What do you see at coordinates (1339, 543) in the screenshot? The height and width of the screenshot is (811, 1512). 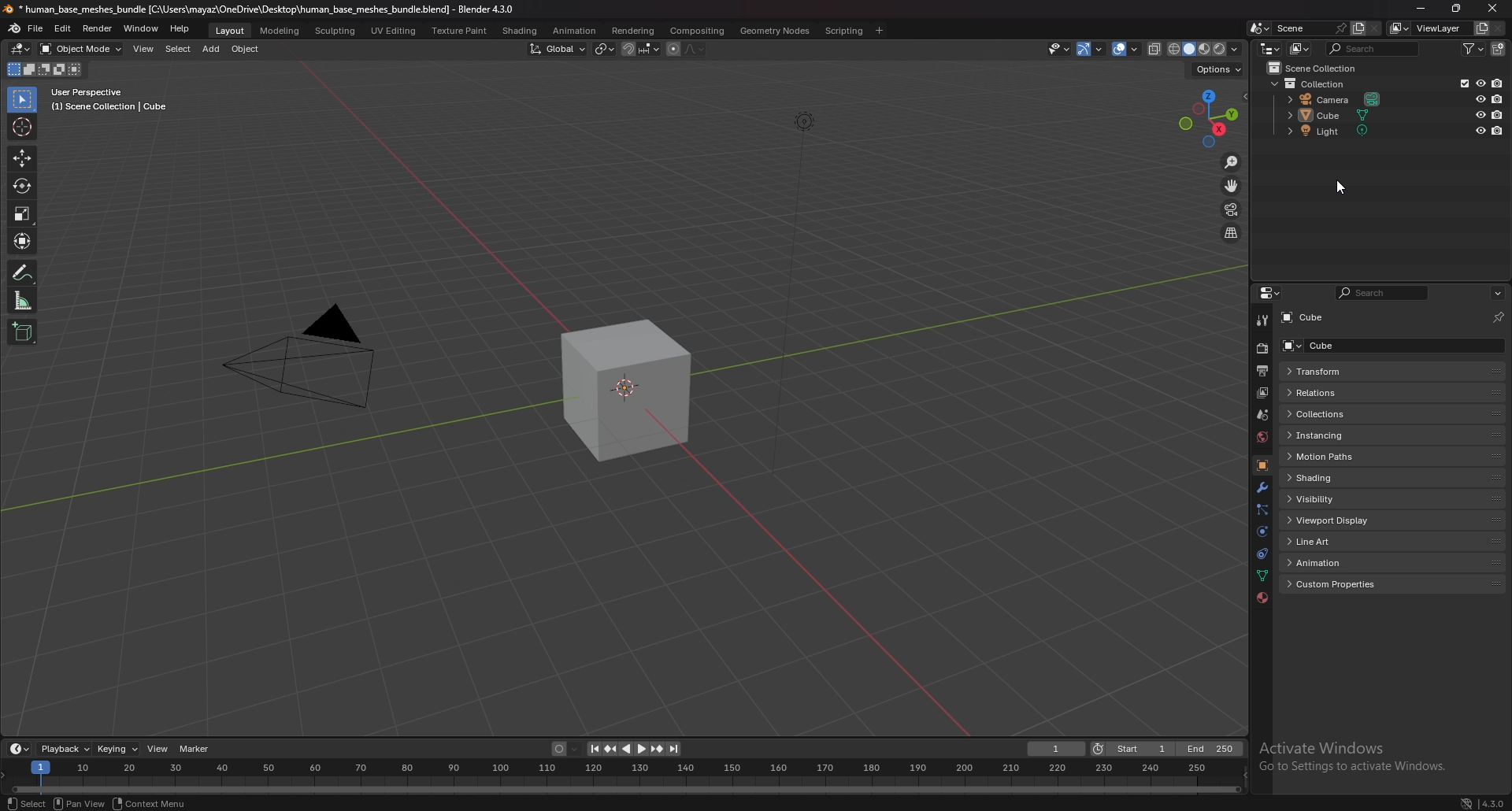 I see `line art` at bounding box center [1339, 543].